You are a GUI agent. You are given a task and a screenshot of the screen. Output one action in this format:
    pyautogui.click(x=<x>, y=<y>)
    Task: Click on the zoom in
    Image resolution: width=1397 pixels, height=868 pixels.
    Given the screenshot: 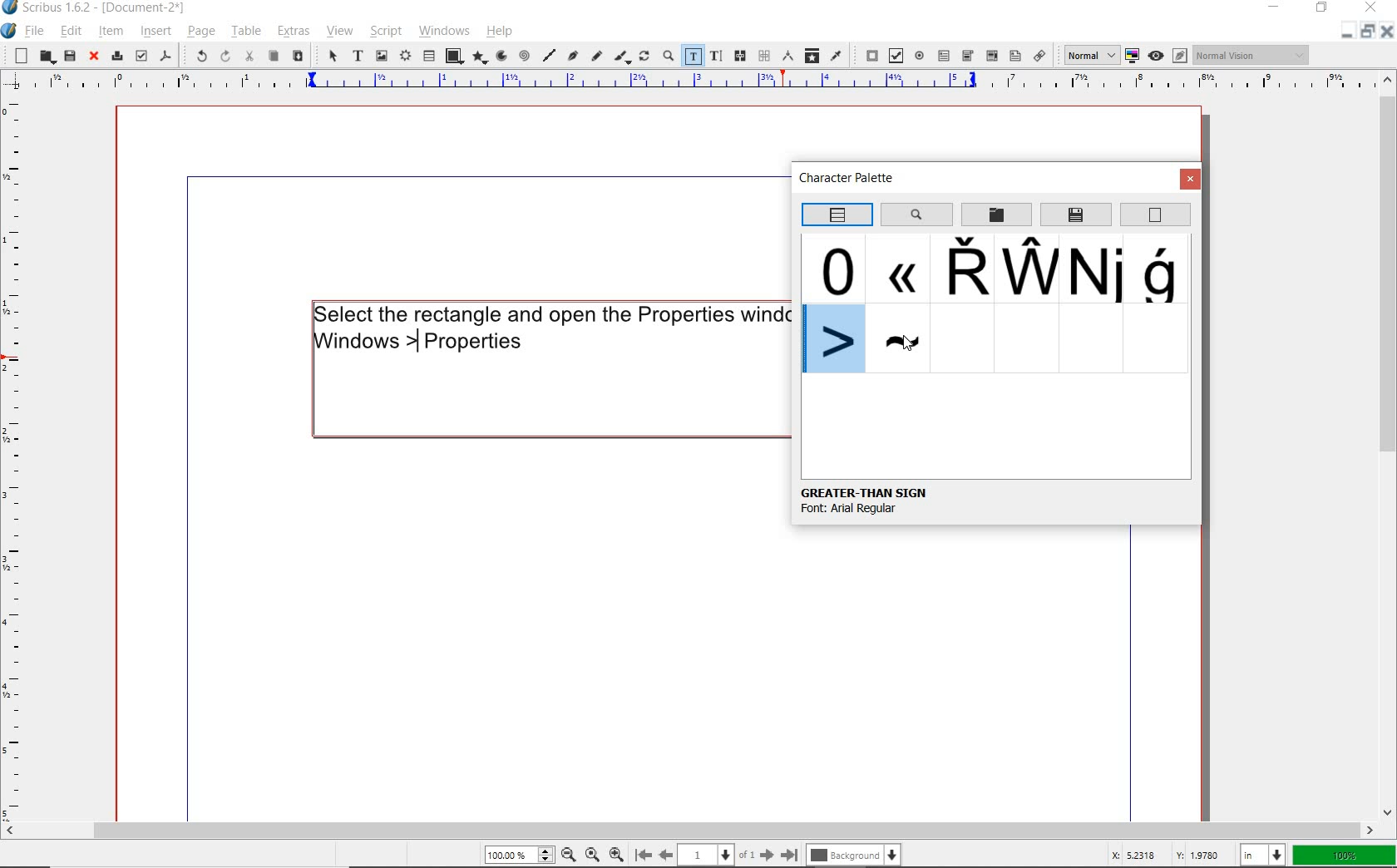 What is the action you would take?
    pyautogui.click(x=616, y=852)
    